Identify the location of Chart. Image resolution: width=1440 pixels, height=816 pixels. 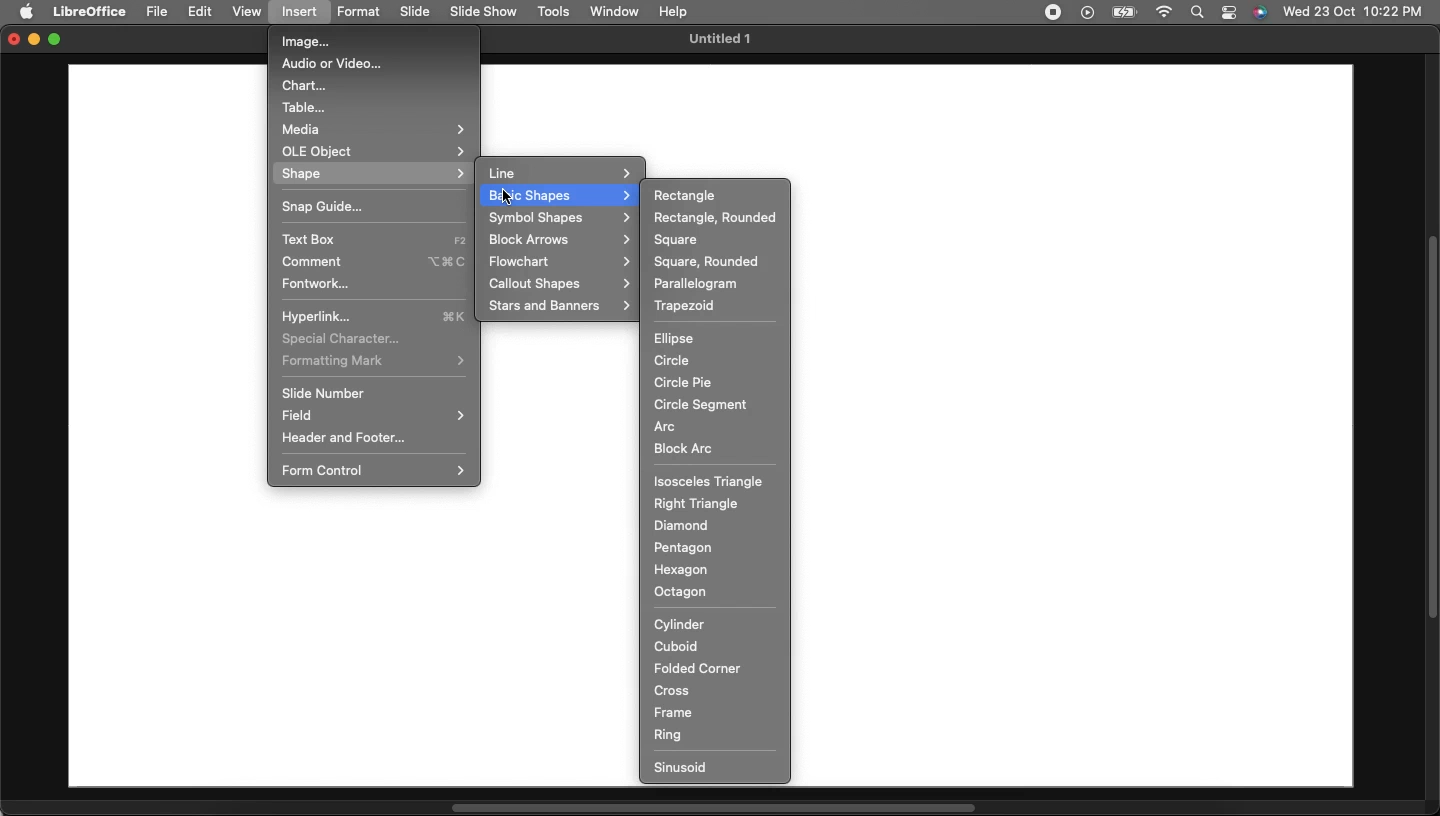
(303, 86).